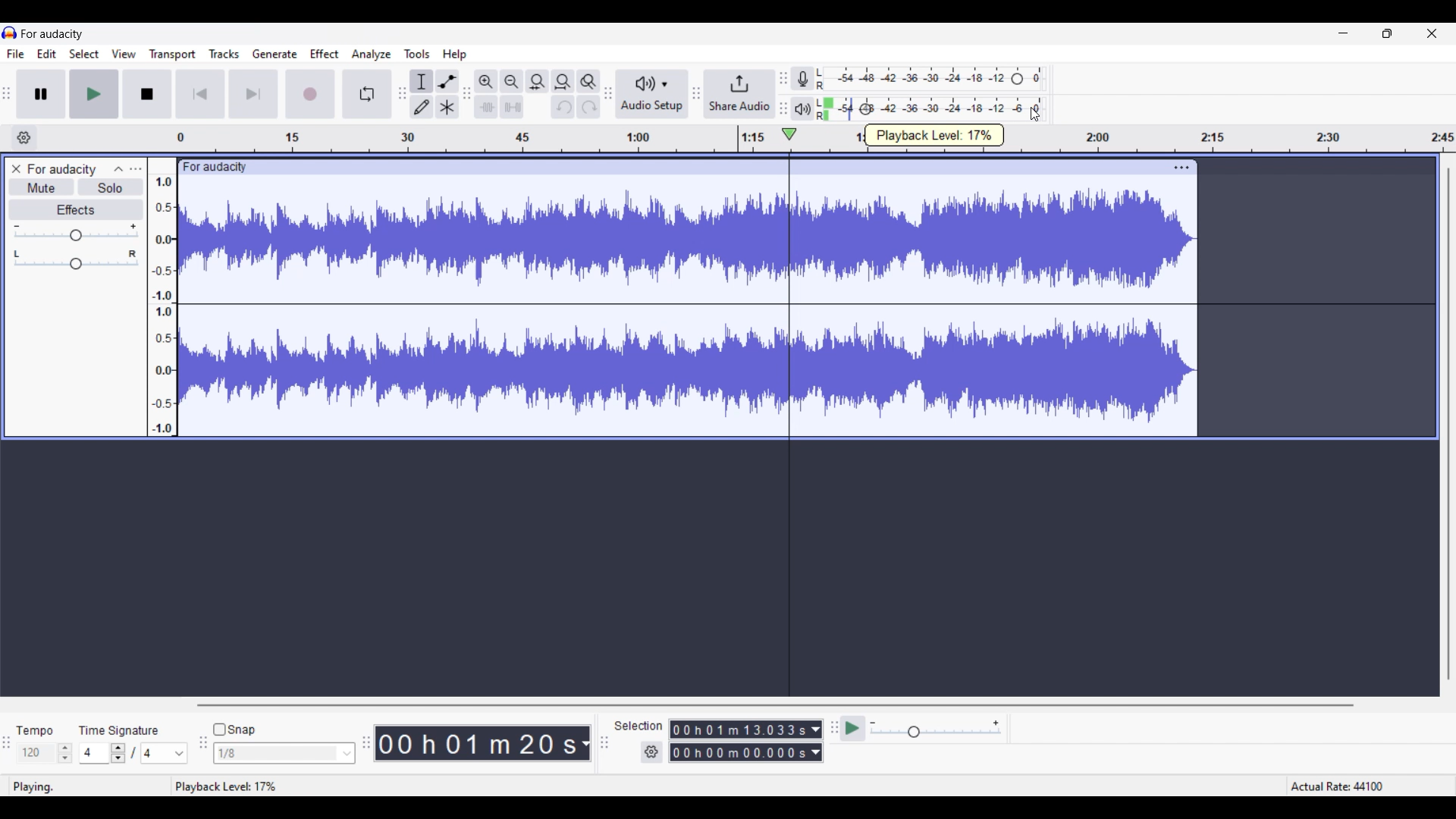  Describe the element at coordinates (513, 107) in the screenshot. I see `Silence audio selection` at that location.